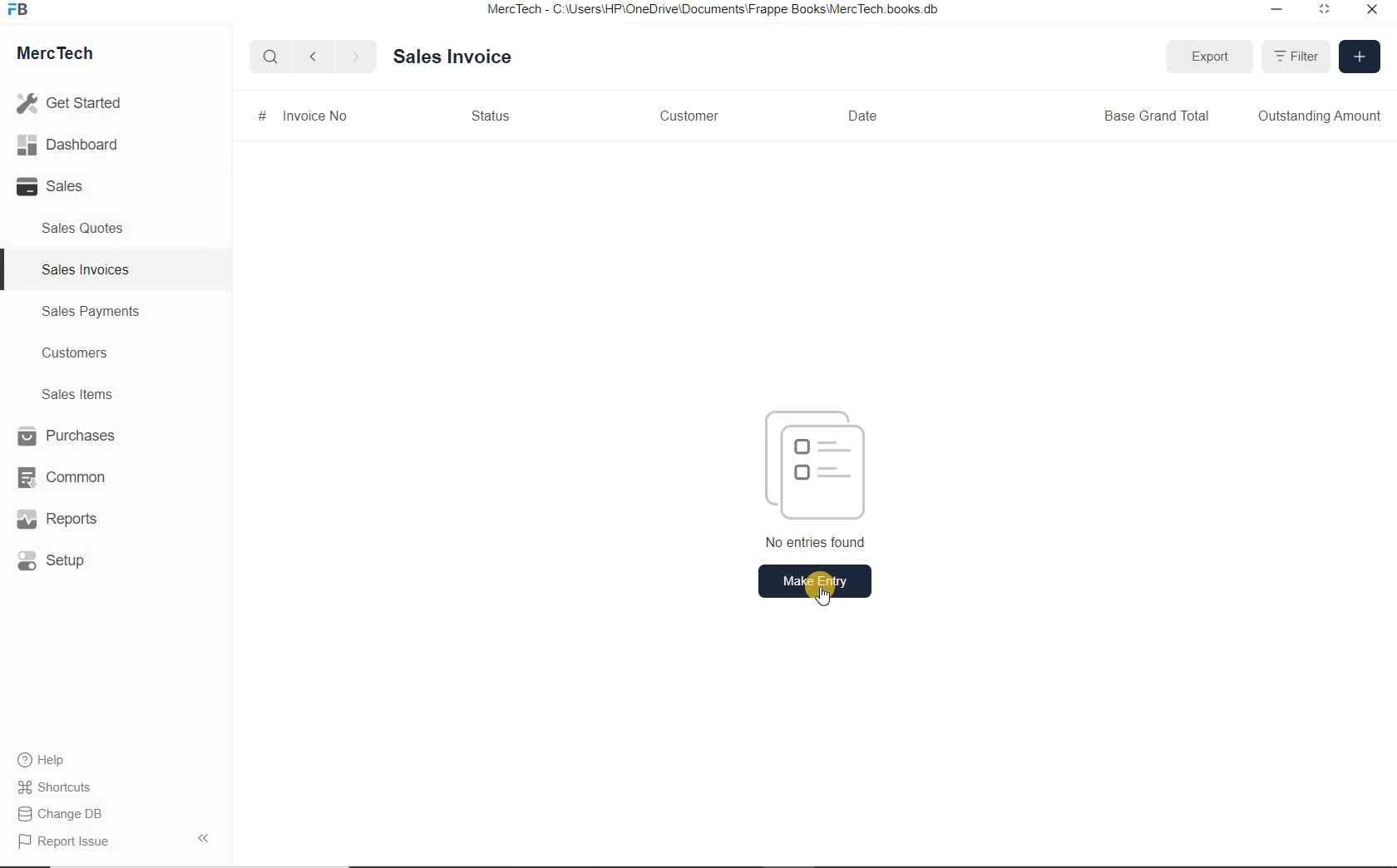 This screenshot has width=1397, height=868. What do you see at coordinates (1295, 56) in the screenshot?
I see `Filter` at bounding box center [1295, 56].